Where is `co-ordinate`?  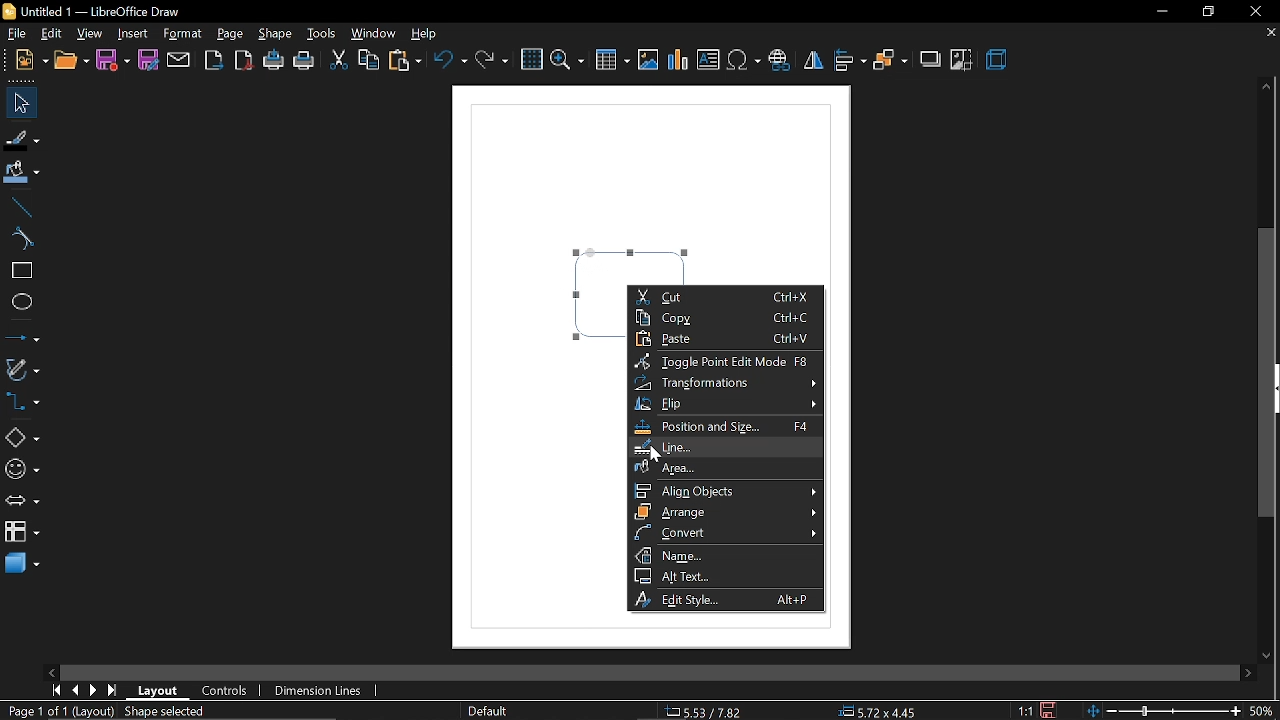 co-ordinate is located at coordinates (705, 711).